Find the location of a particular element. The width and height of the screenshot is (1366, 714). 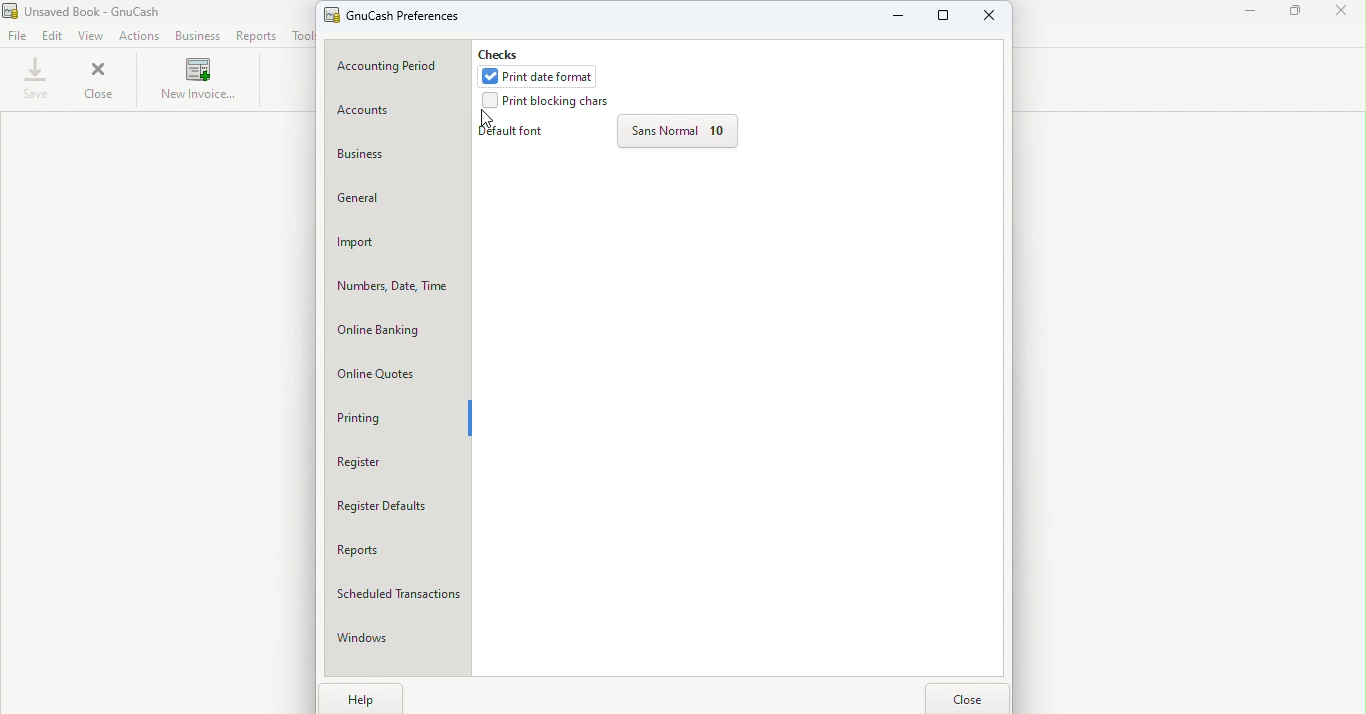

Close is located at coordinates (100, 83).